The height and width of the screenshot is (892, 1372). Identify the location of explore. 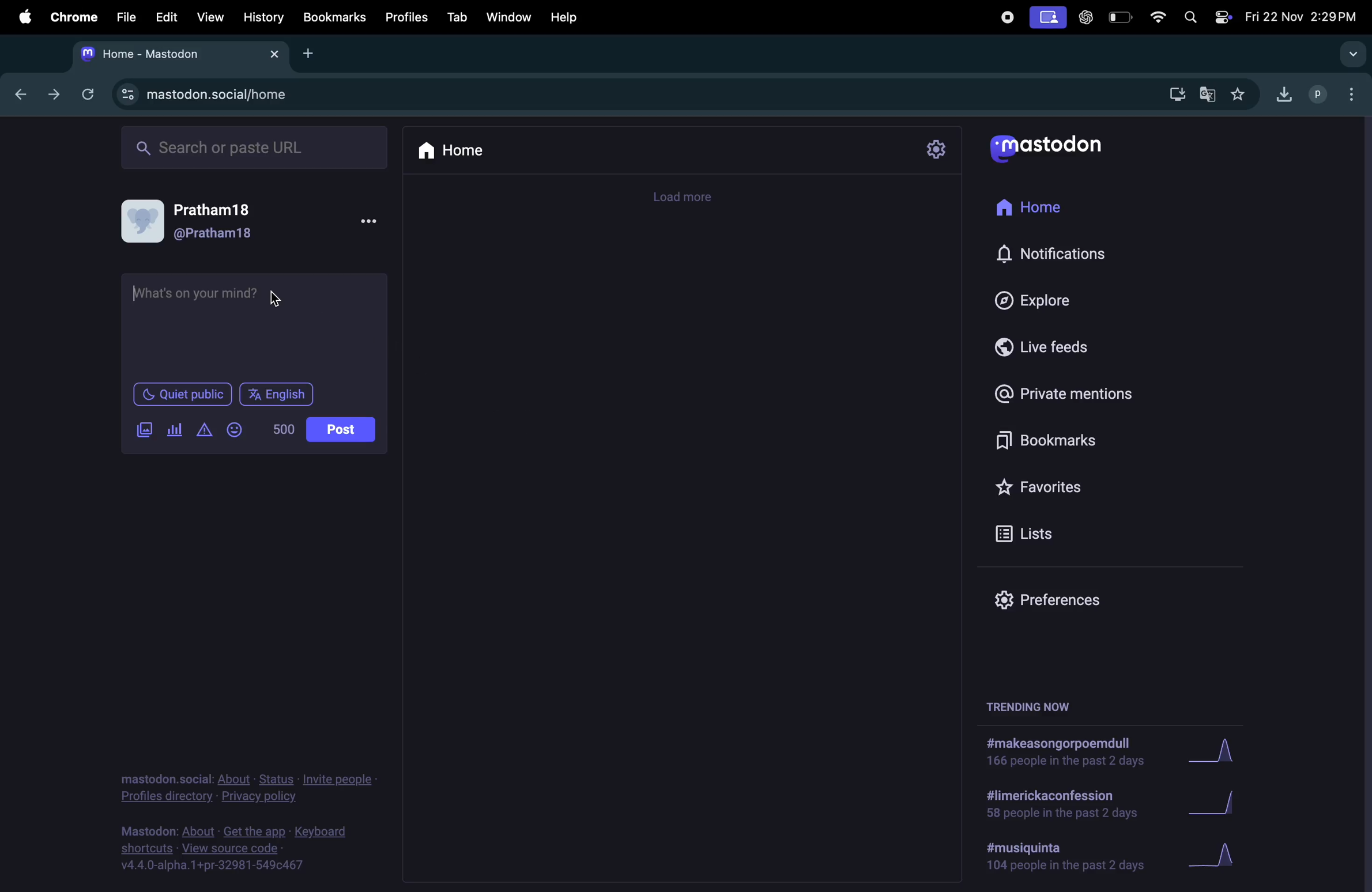
(1080, 300).